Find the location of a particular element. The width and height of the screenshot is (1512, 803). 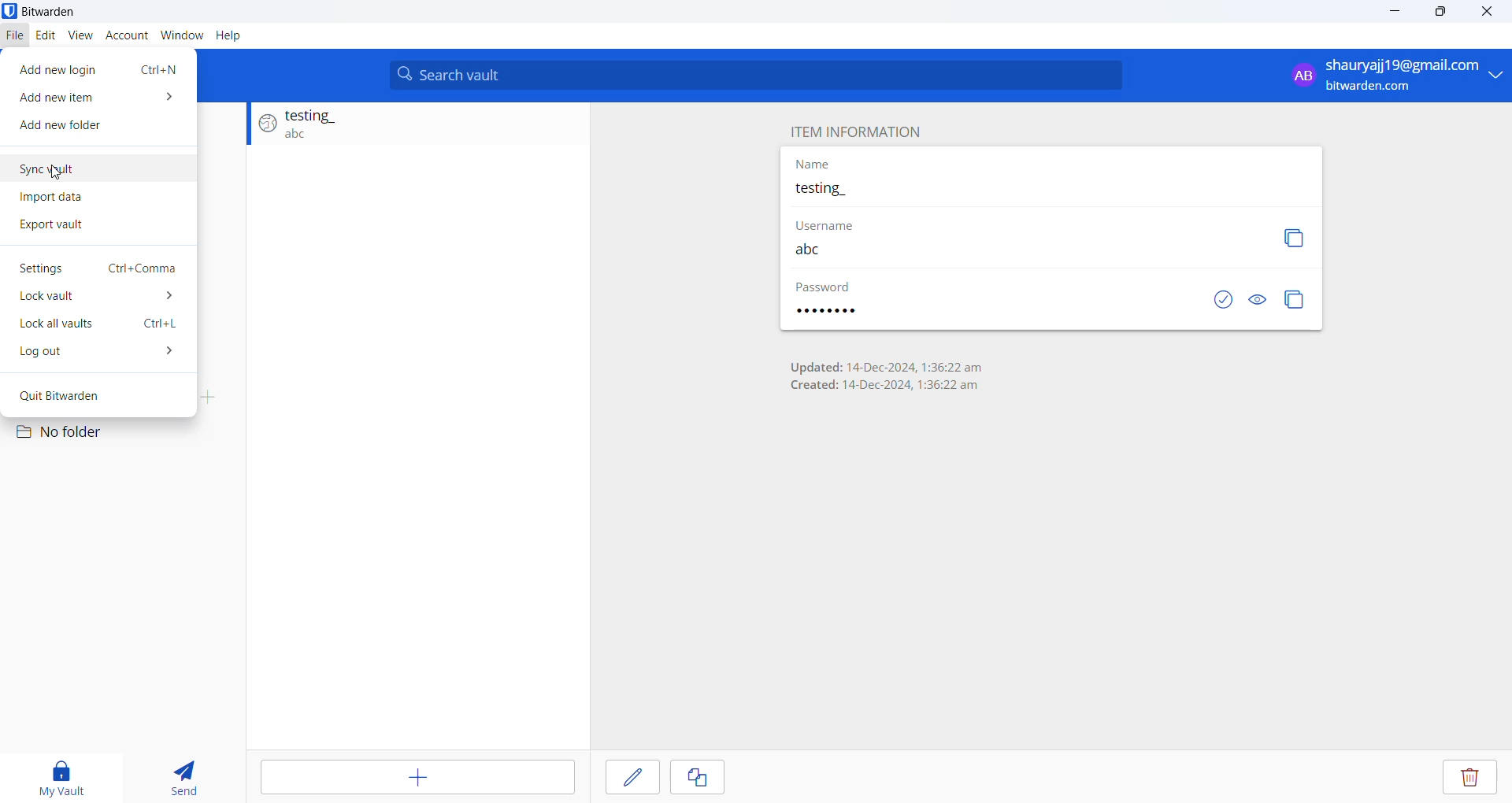

application logo is located at coordinates (9, 11).